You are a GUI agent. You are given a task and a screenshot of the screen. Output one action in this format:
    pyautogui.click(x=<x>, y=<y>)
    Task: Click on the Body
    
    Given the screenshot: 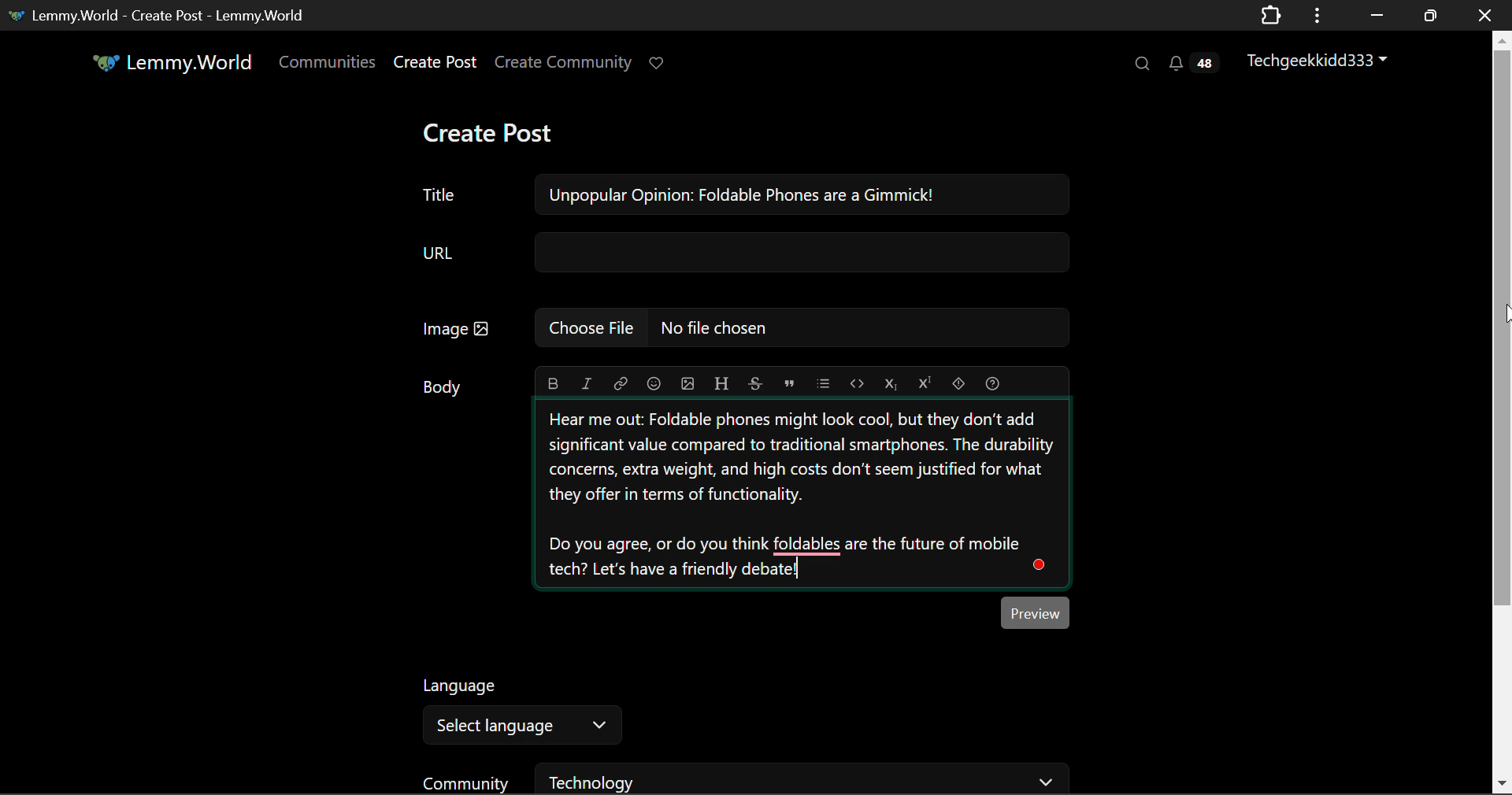 What is the action you would take?
    pyautogui.click(x=445, y=386)
    